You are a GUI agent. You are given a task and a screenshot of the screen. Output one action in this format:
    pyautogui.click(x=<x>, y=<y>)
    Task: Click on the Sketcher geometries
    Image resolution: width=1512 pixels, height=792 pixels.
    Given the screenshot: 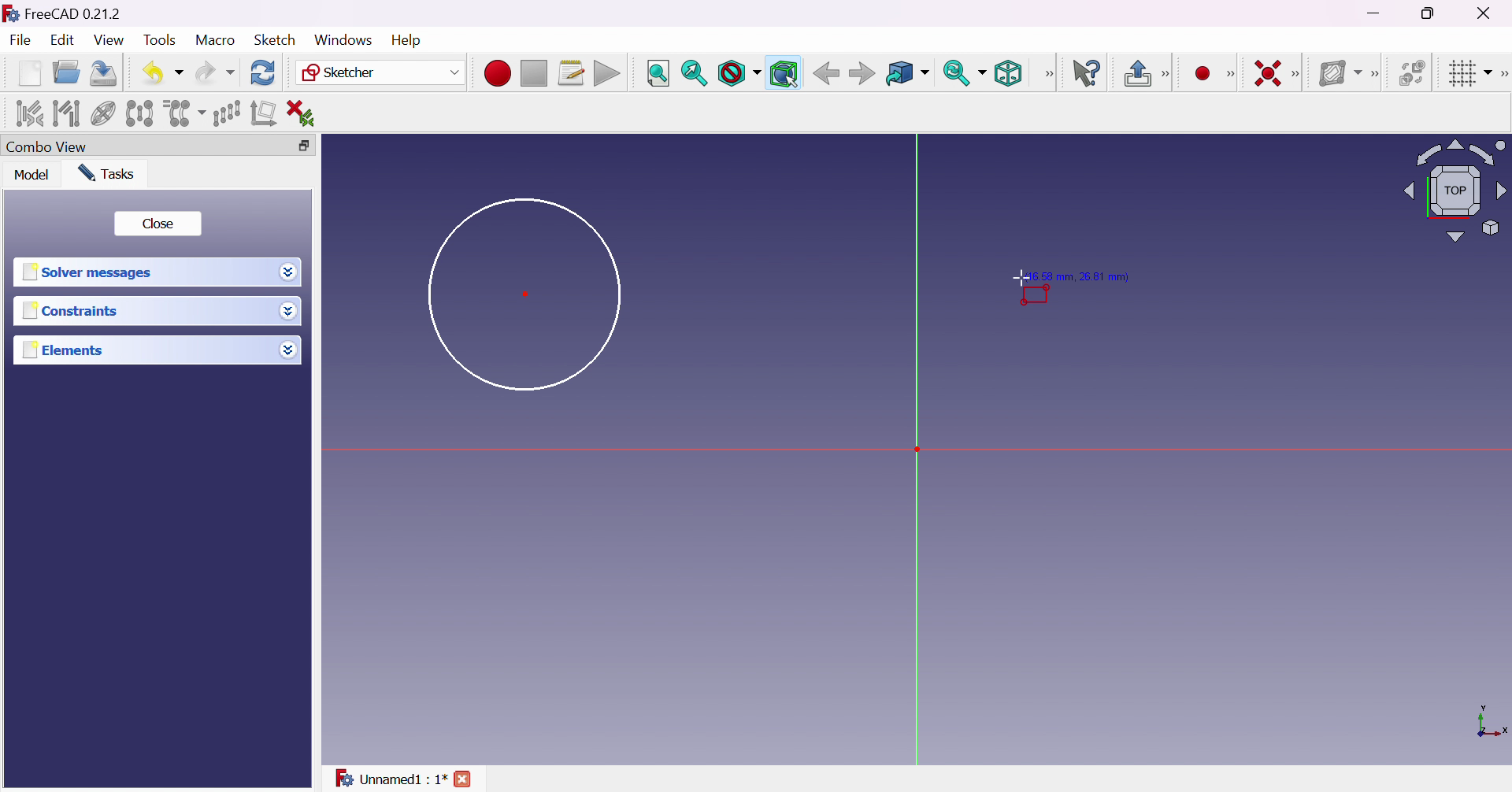 What is the action you would take?
    pyautogui.click(x=1230, y=75)
    